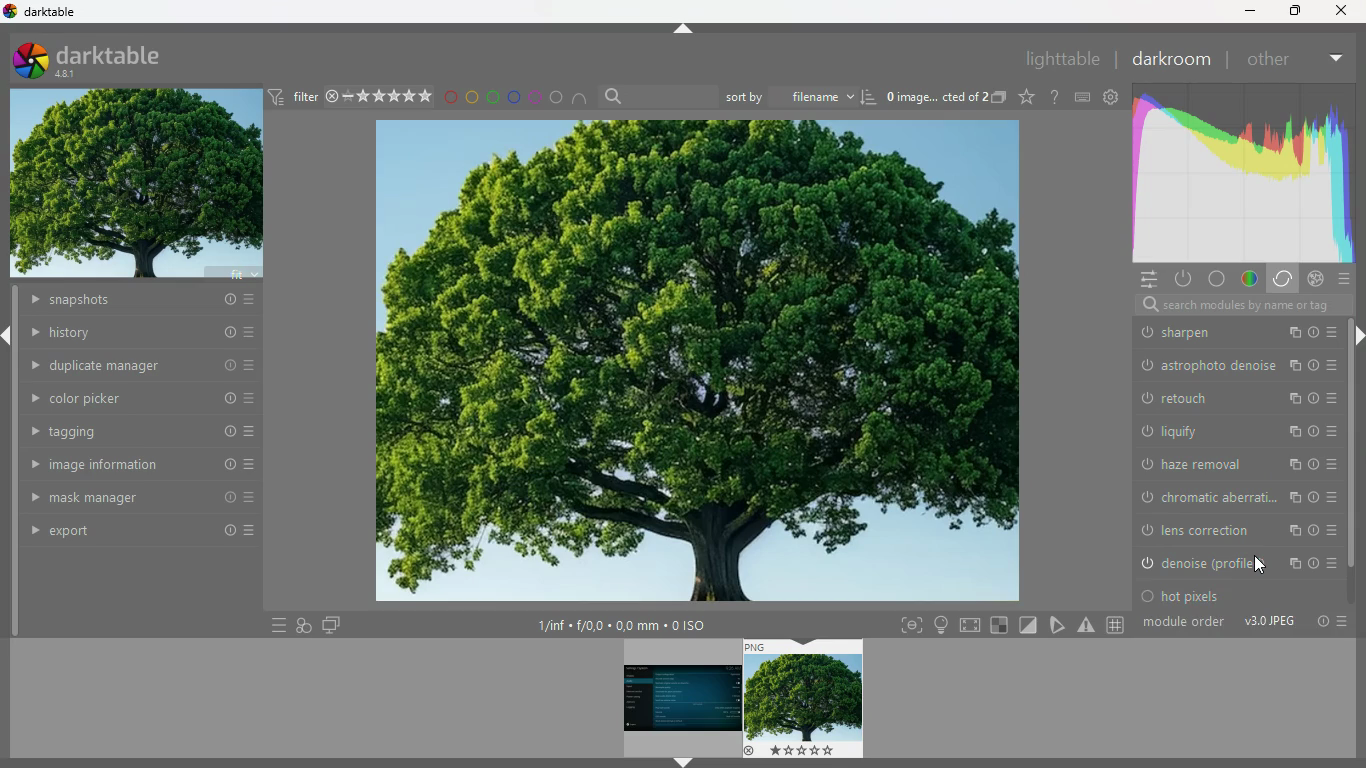 The height and width of the screenshot is (768, 1366). What do you see at coordinates (673, 696) in the screenshot?
I see `image` at bounding box center [673, 696].